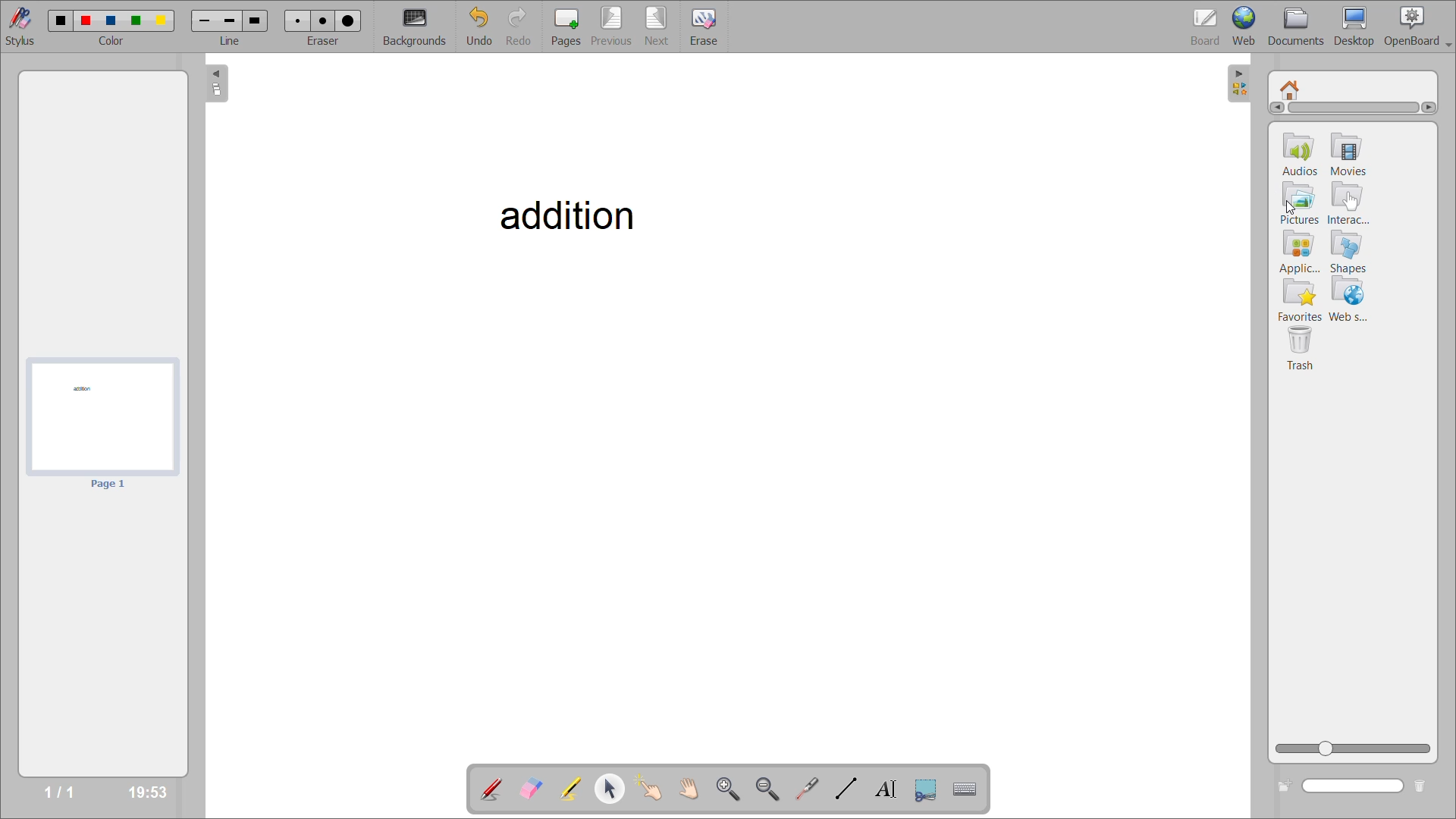  I want to click on web search, so click(1351, 300).